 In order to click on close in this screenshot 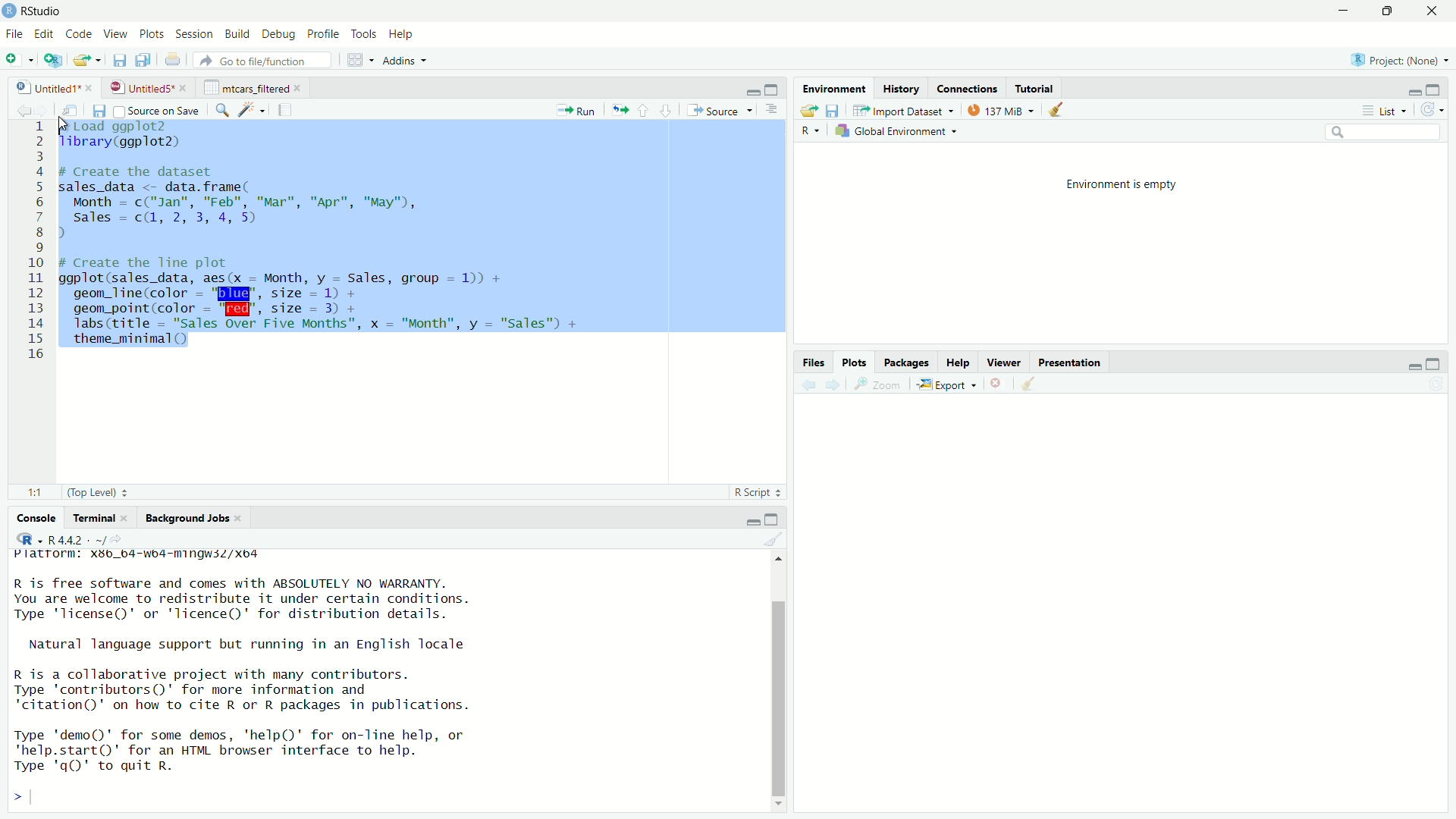, I will do `click(185, 88)`.